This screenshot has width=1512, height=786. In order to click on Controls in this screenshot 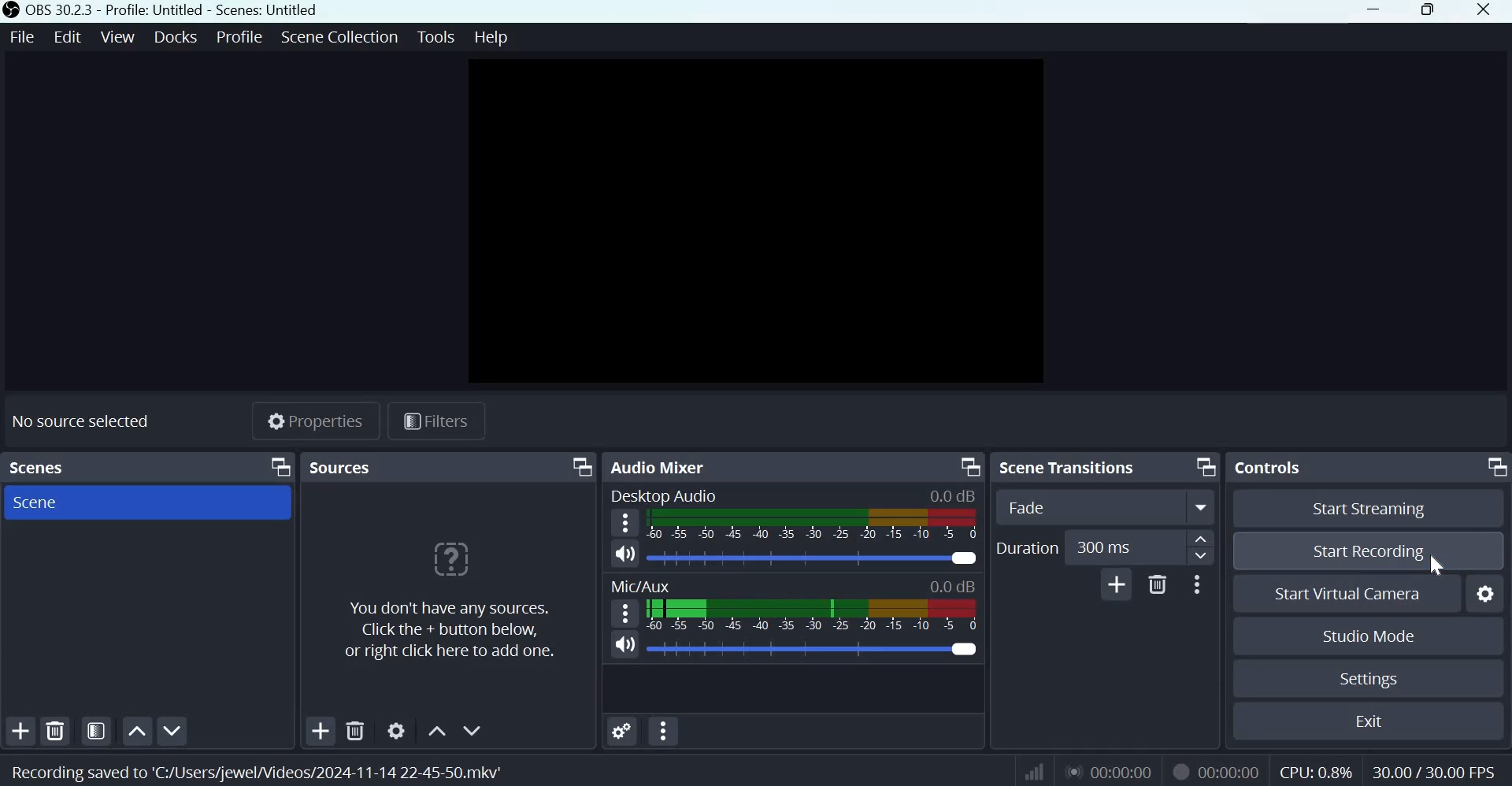, I will do `click(1277, 466)`.